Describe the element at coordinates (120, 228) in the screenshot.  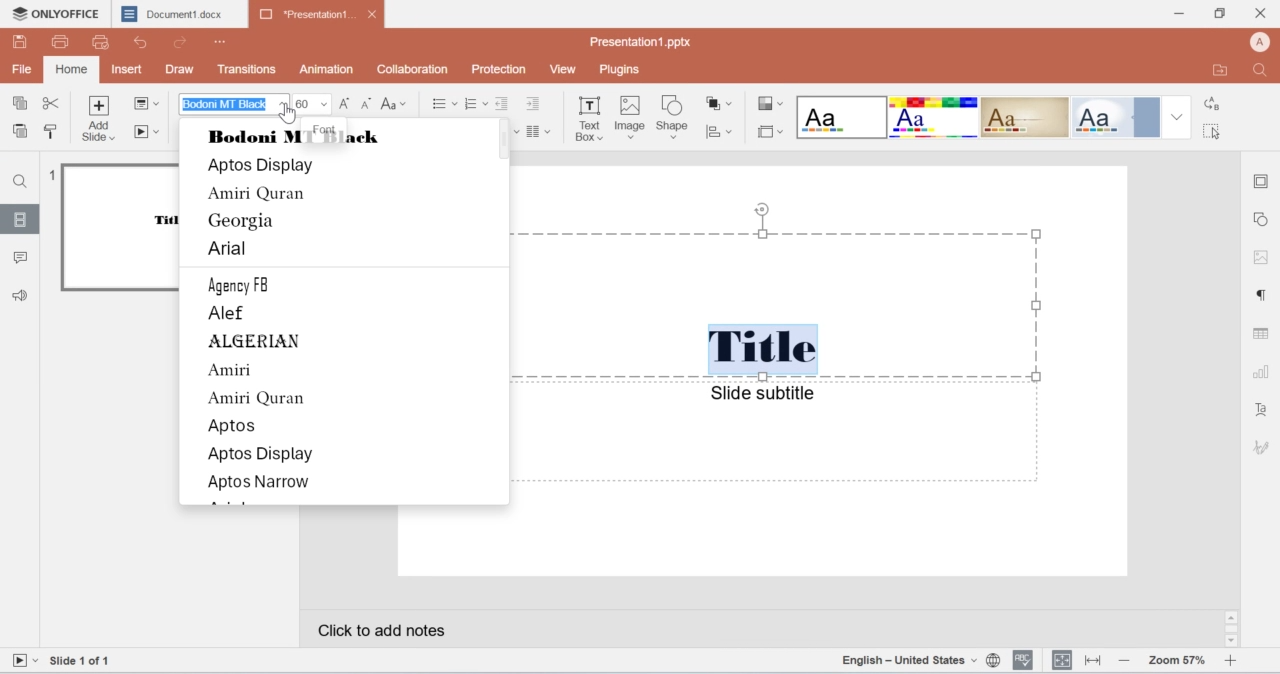
I see `preview` at that location.